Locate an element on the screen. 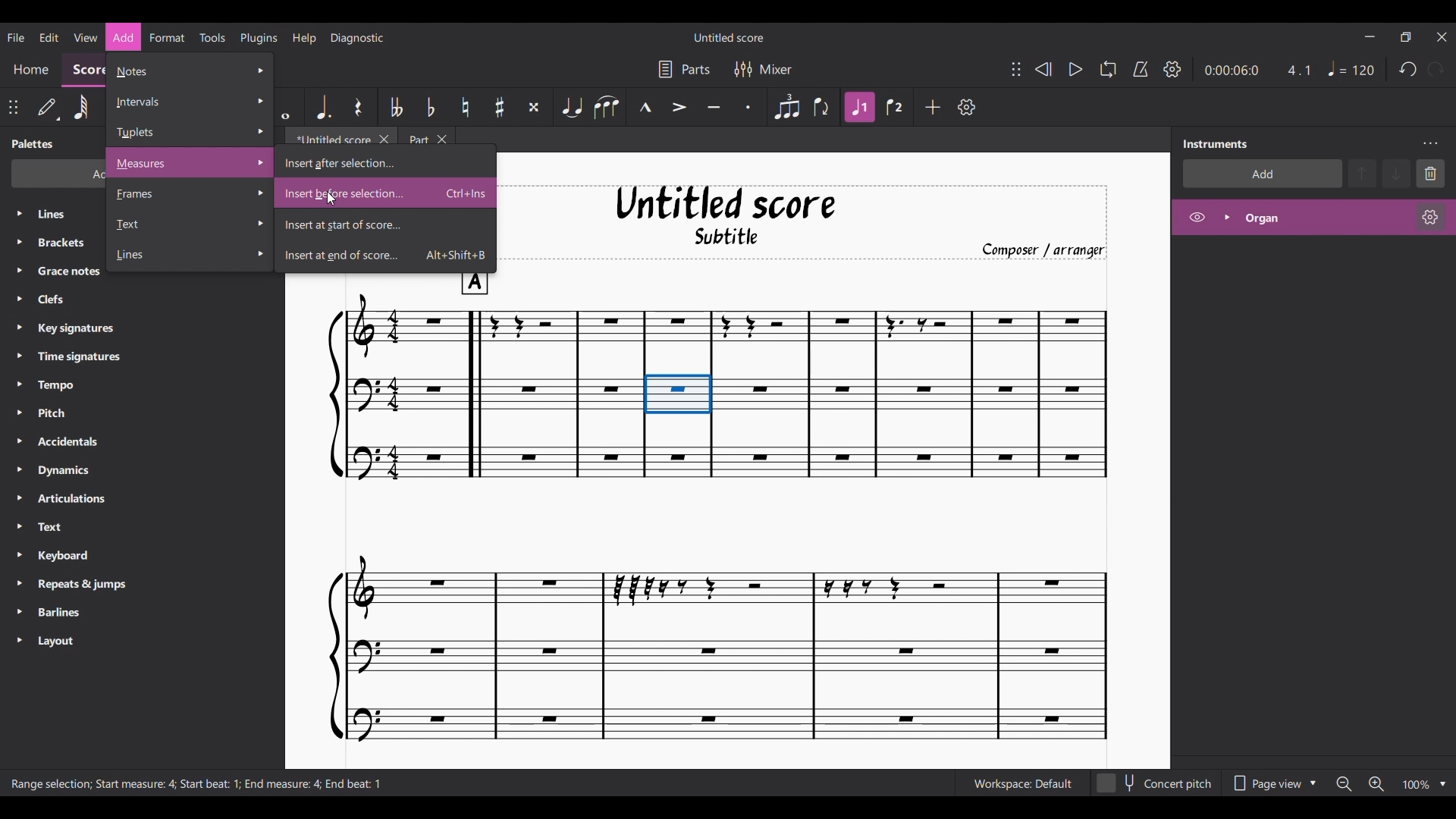 This screenshot has height=819, width=1456. Rest is located at coordinates (359, 107).